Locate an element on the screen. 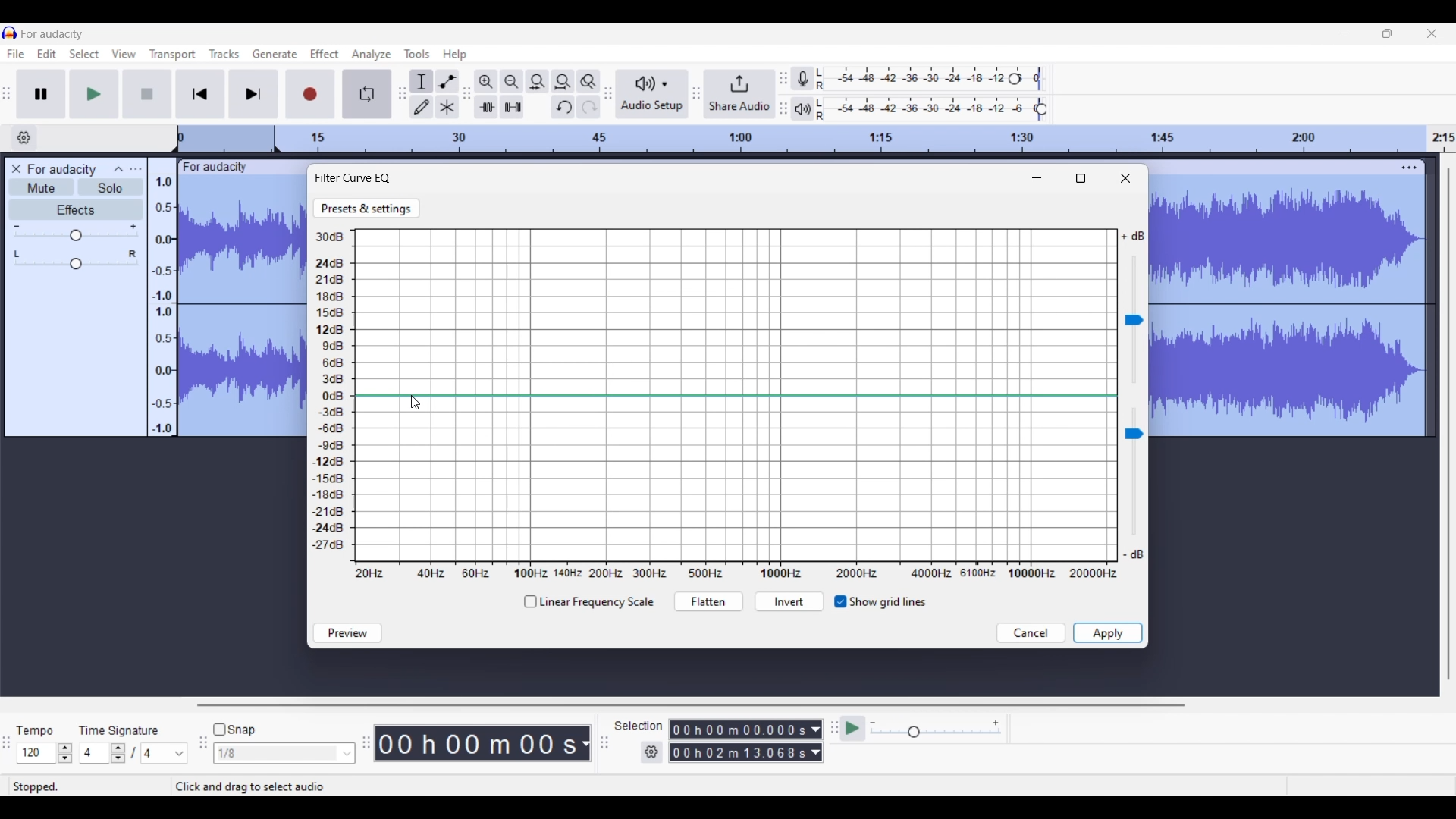 This screenshot has height=819, width=1456. Tools menu is located at coordinates (416, 54).